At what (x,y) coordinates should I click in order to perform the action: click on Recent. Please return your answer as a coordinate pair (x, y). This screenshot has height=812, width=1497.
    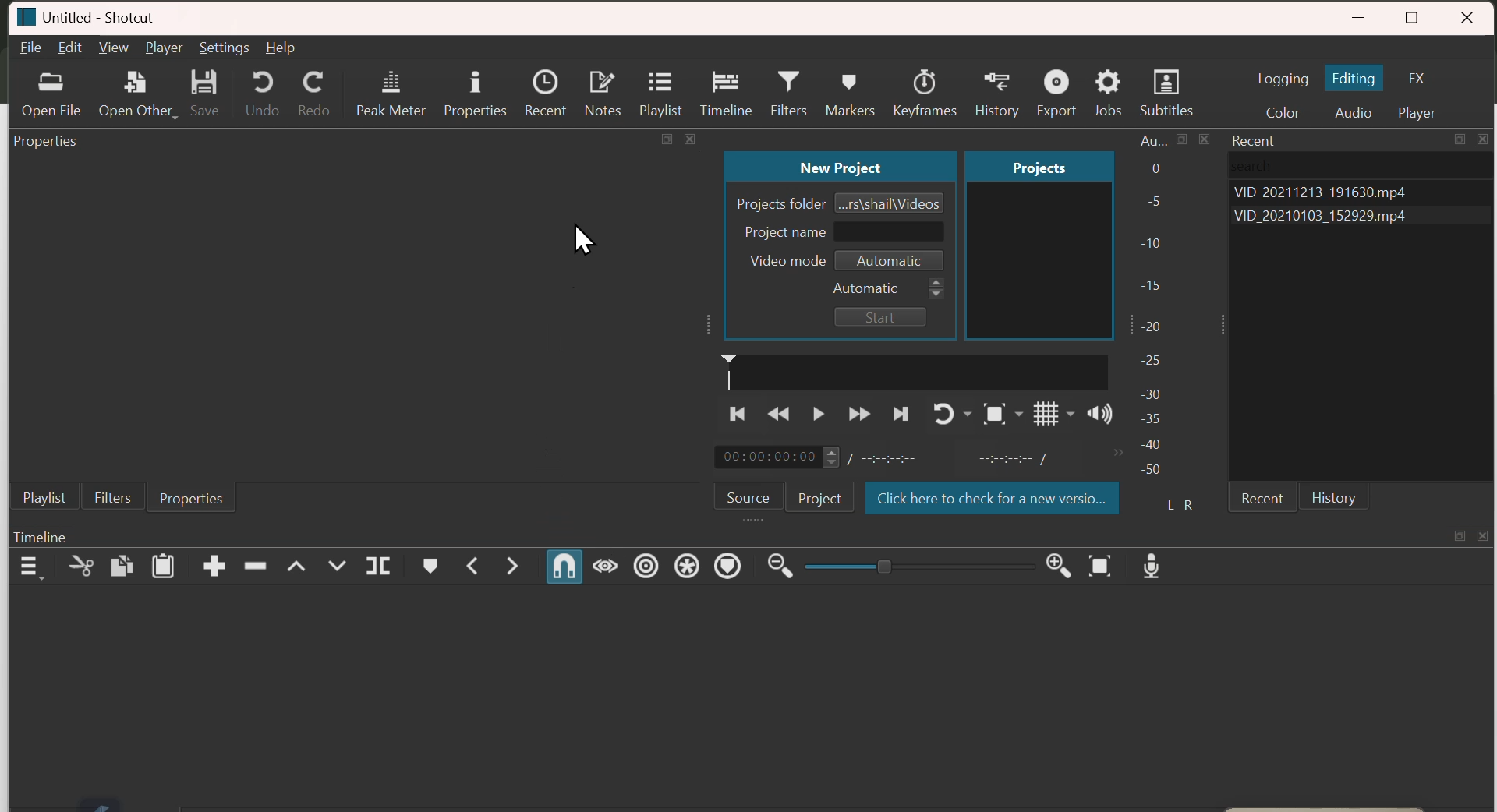
    Looking at the image, I should click on (1263, 496).